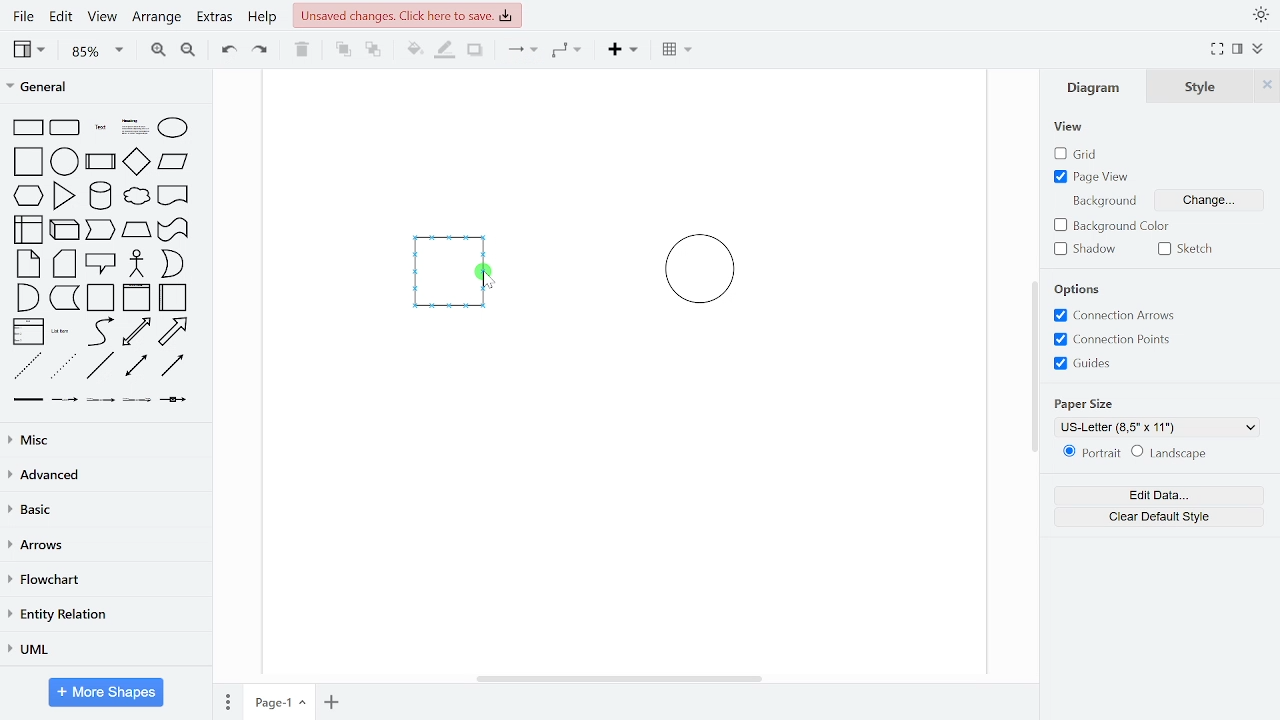 The width and height of the screenshot is (1280, 720). What do you see at coordinates (61, 331) in the screenshot?
I see `list item` at bounding box center [61, 331].